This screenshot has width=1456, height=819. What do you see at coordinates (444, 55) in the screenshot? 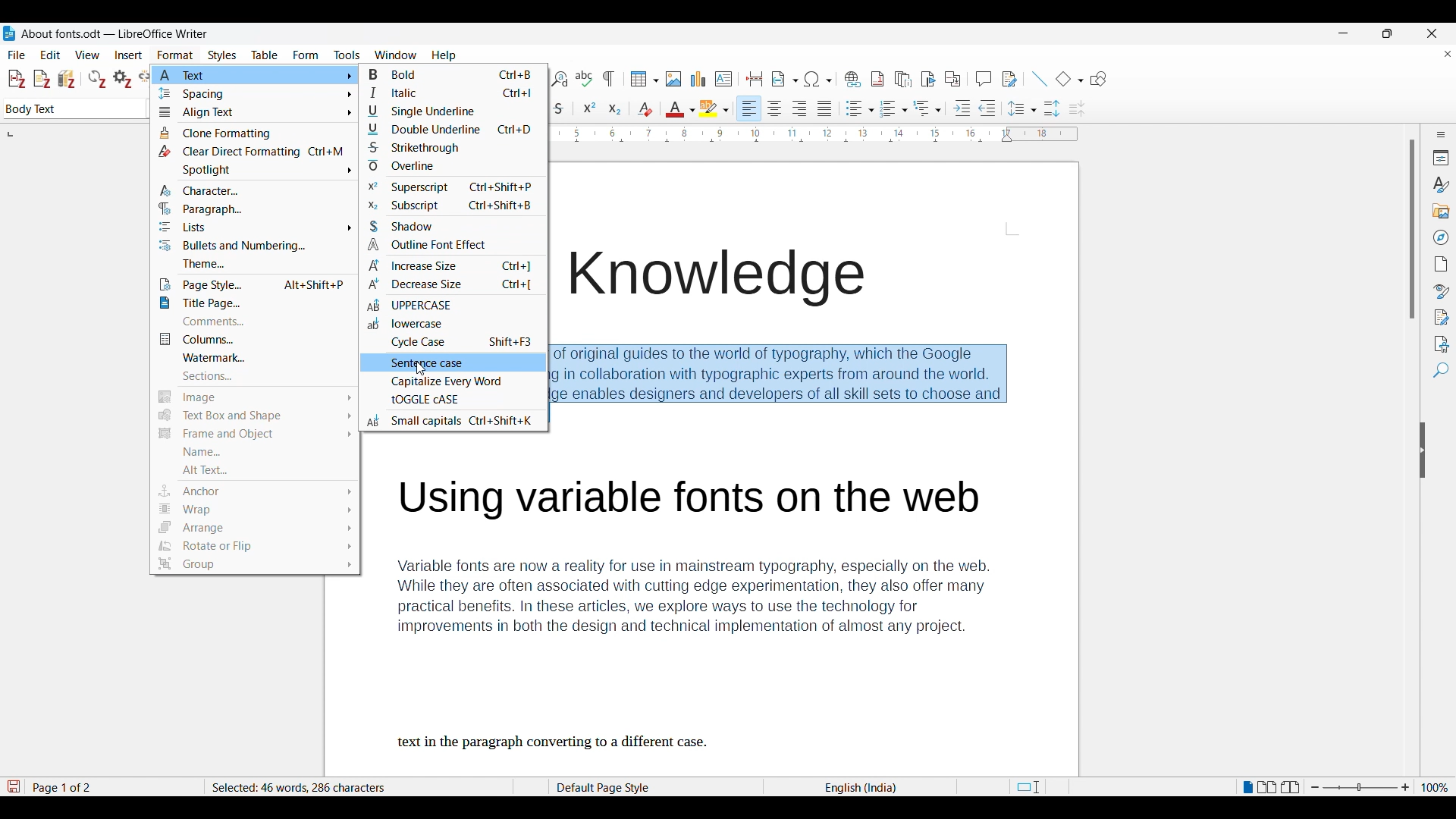
I see `Help menu` at bounding box center [444, 55].